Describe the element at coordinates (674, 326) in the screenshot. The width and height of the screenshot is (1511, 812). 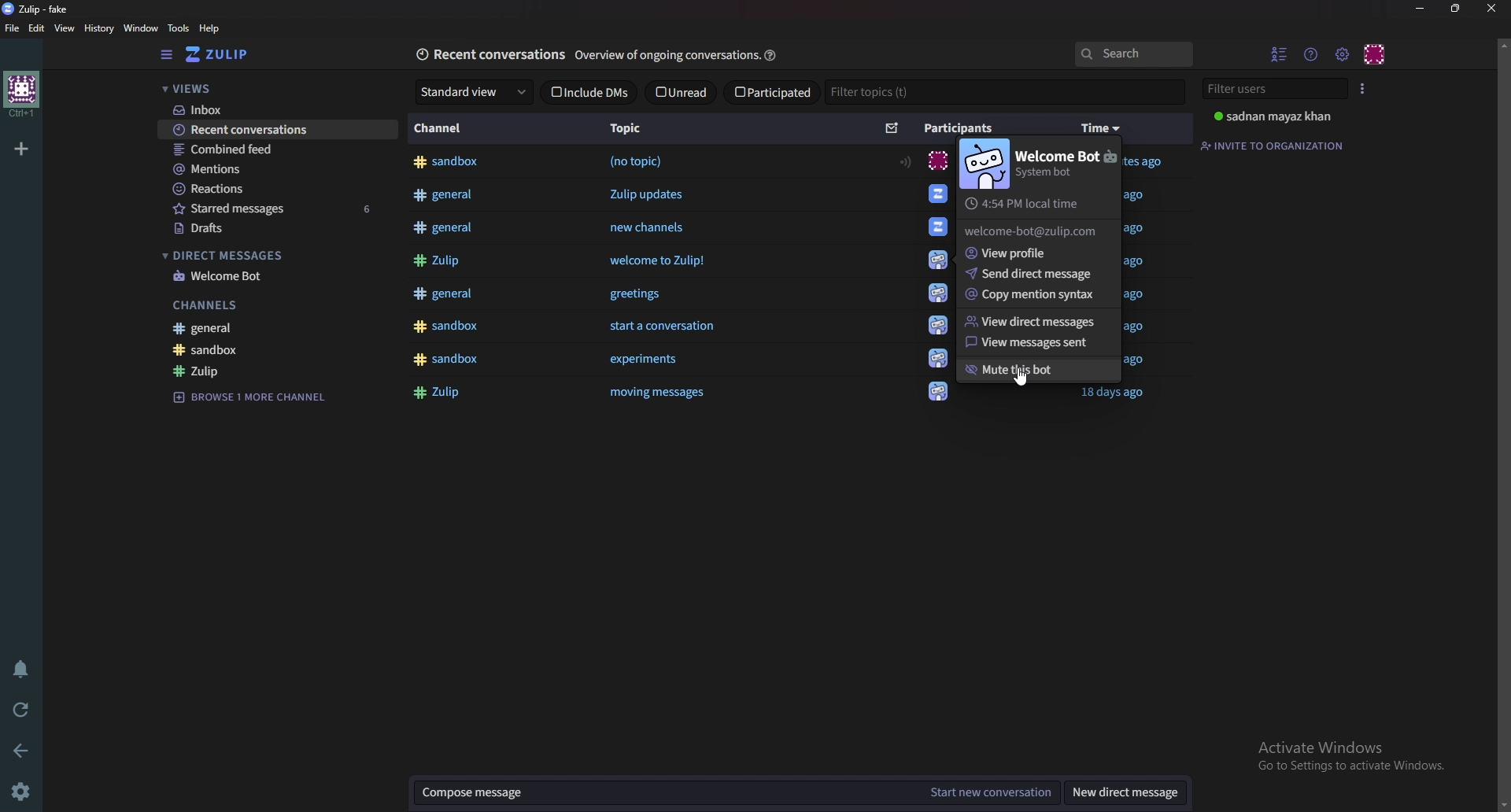
I see `start a conversation` at that location.